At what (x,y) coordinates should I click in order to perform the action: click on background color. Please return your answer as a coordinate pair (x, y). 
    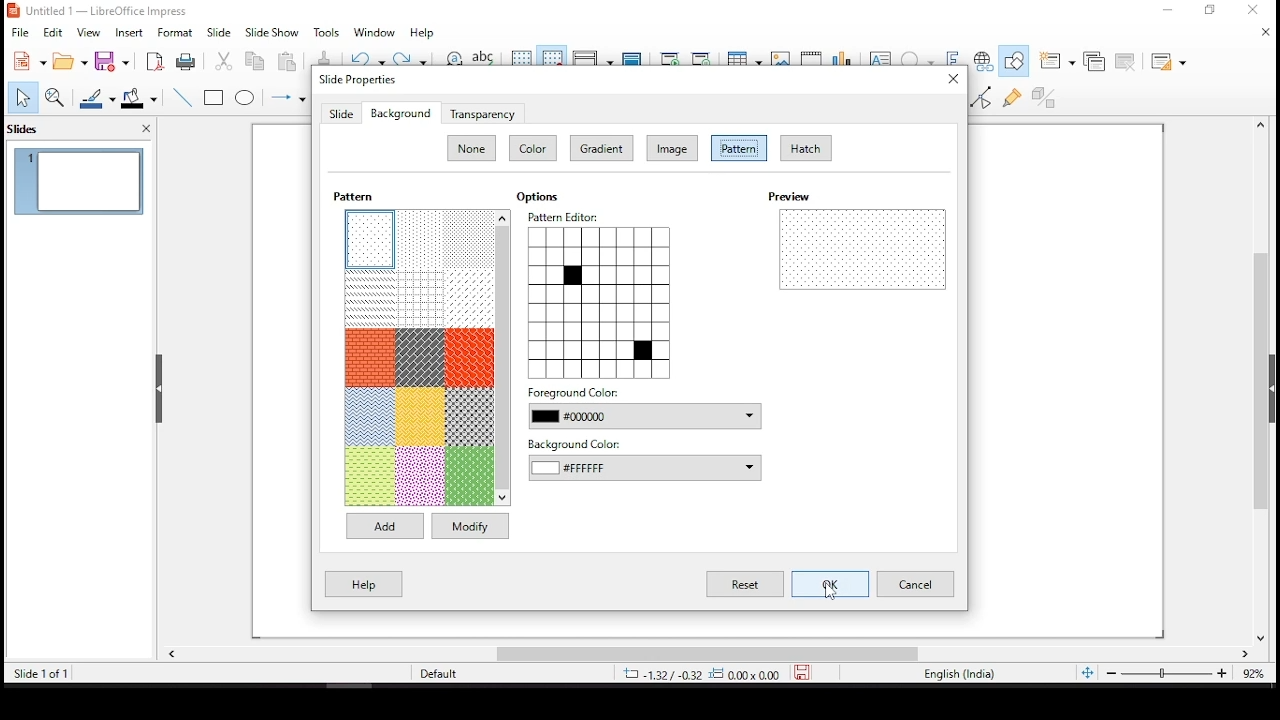
    Looking at the image, I should click on (646, 461).